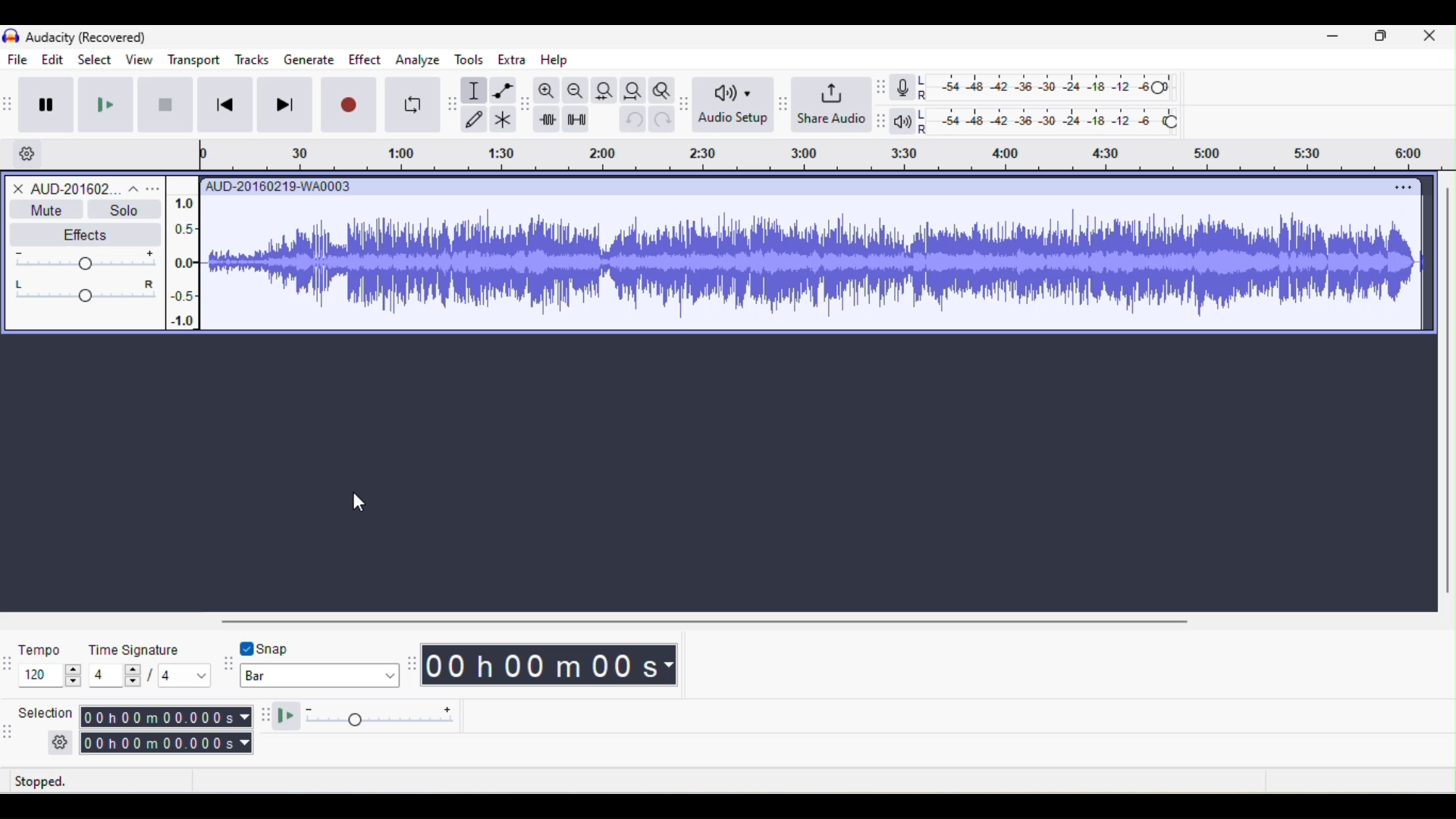 This screenshot has width=1456, height=819. What do you see at coordinates (526, 106) in the screenshot?
I see `audacity edit toolbar` at bounding box center [526, 106].